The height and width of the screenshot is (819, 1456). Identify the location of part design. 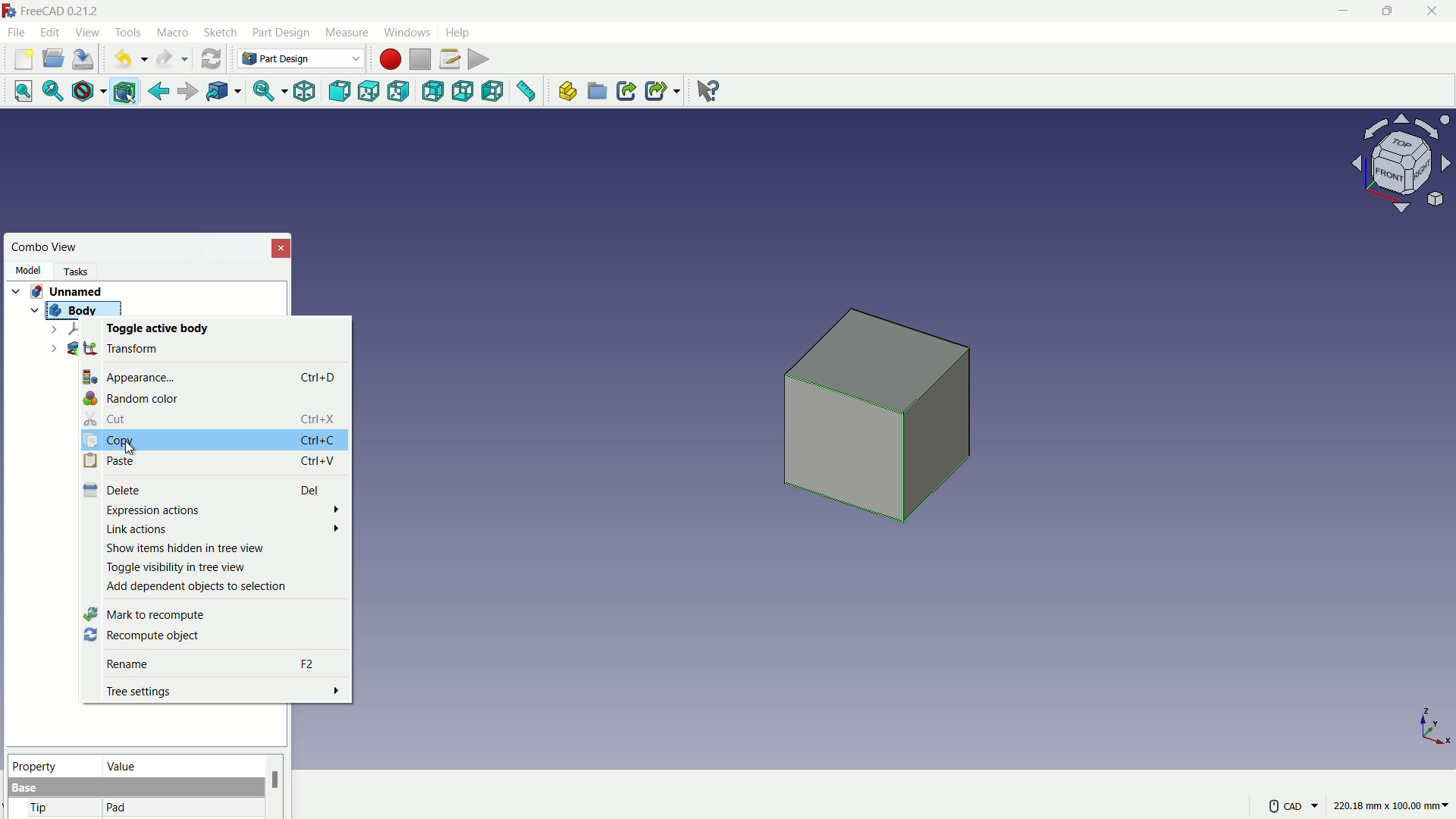
(281, 33).